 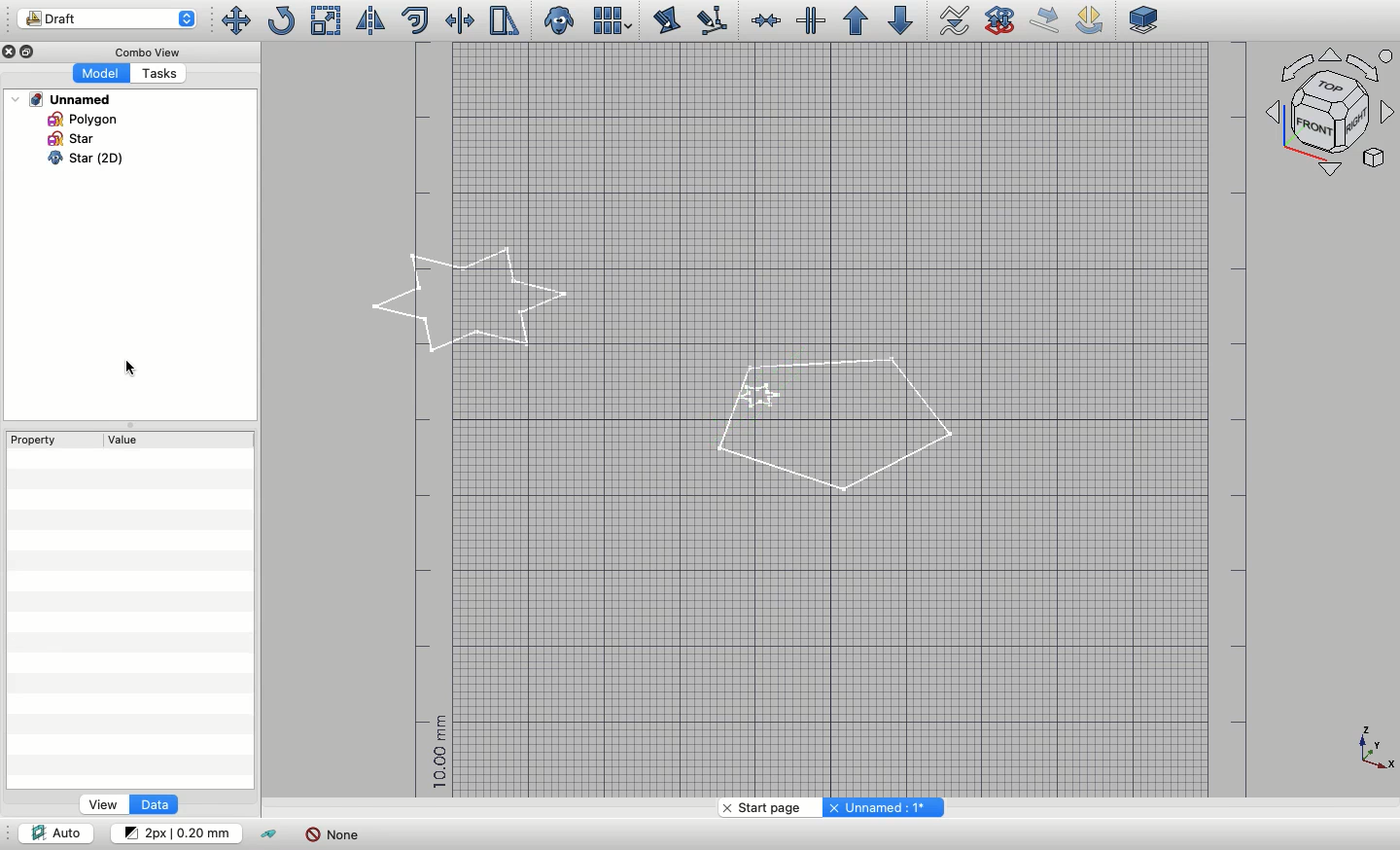 What do you see at coordinates (128, 425) in the screenshot?
I see `Collapse` at bounding box center [128, 425].